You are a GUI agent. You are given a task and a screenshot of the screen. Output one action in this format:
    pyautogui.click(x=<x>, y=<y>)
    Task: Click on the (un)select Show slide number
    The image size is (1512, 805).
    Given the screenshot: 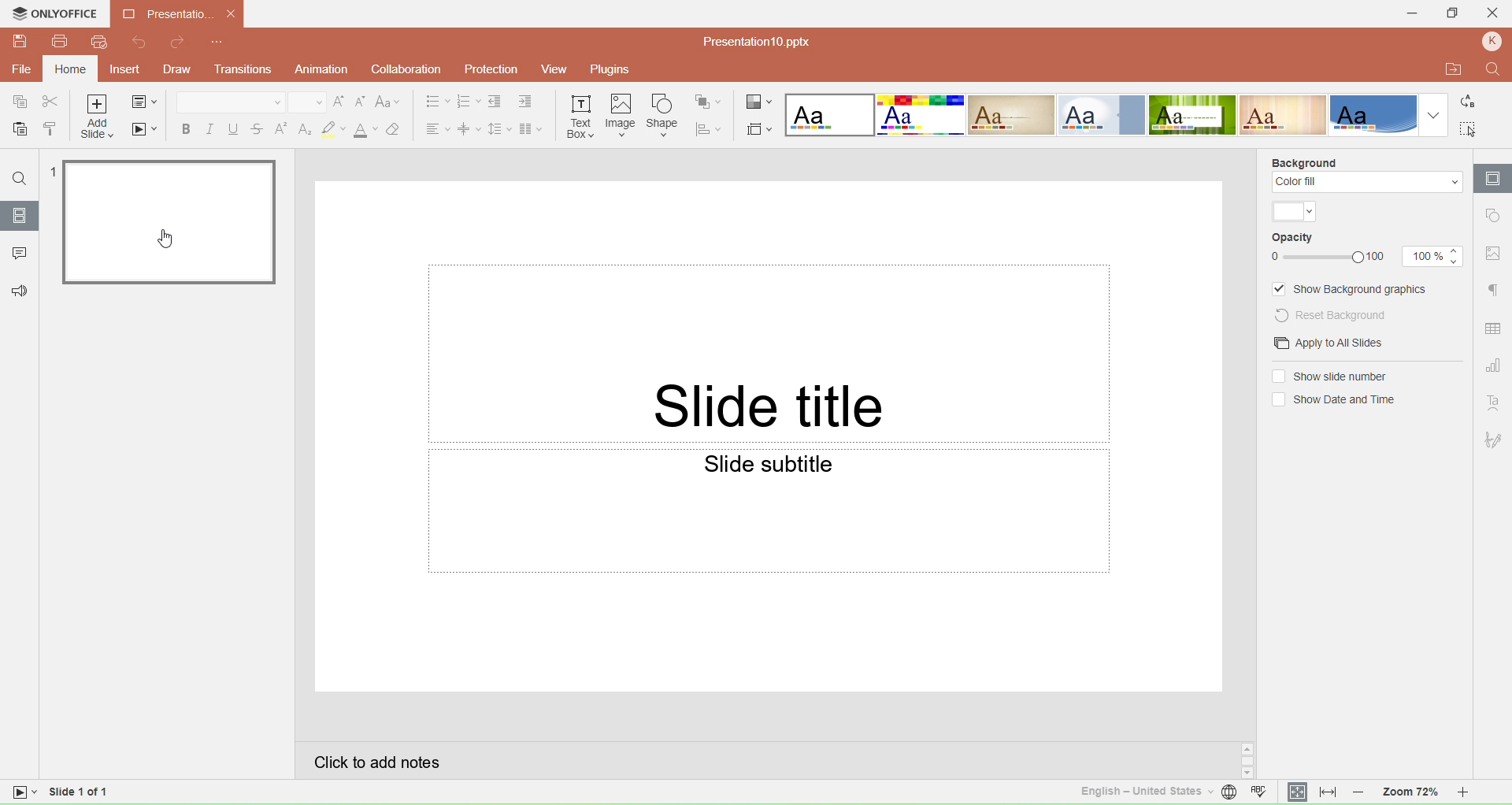 What is the action you would take?
    pyautogui.click(x=1329, y=377)
    